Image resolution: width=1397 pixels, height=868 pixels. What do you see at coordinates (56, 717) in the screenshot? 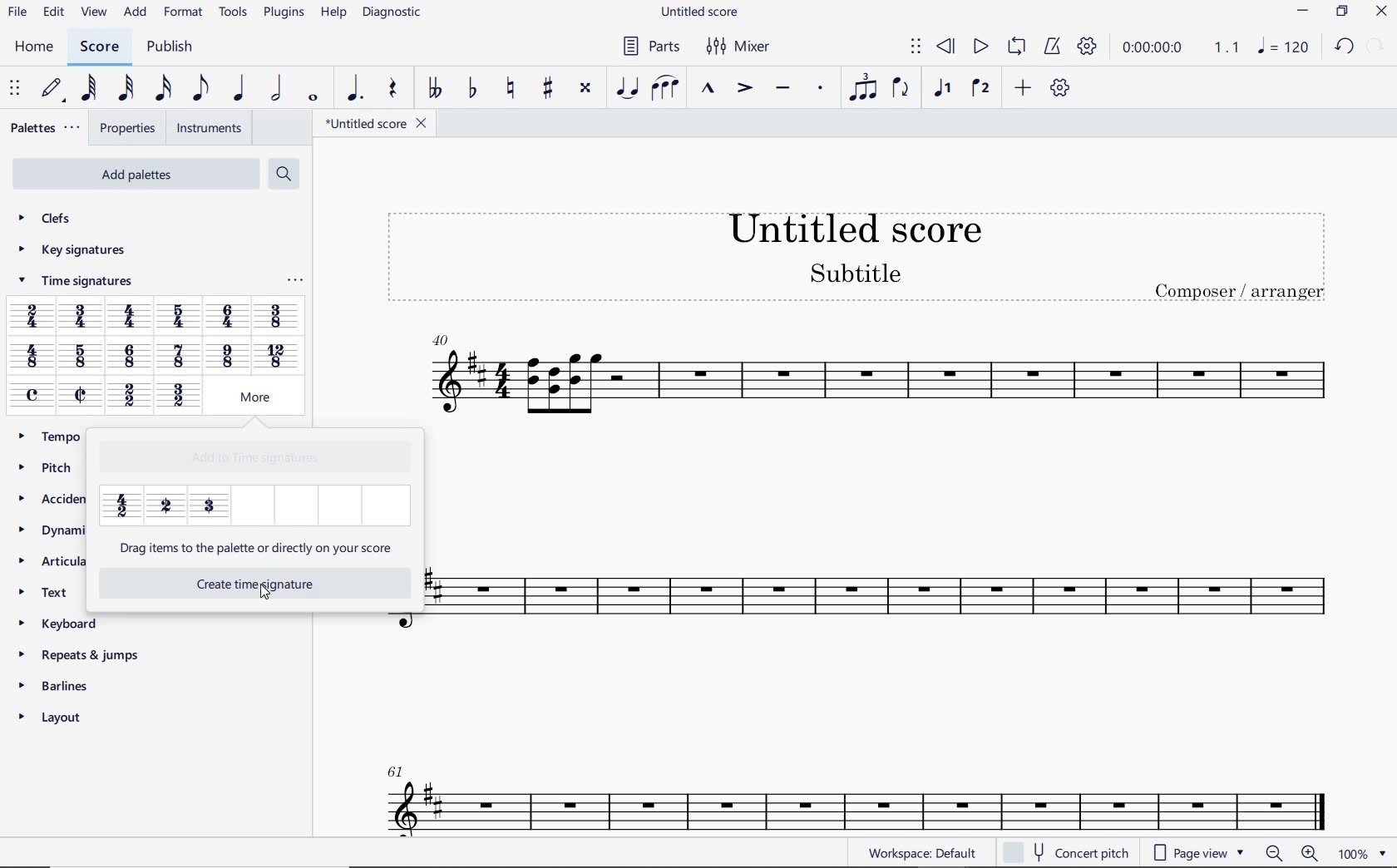
I see `LAYOUT` at bounding box center [56, 717].